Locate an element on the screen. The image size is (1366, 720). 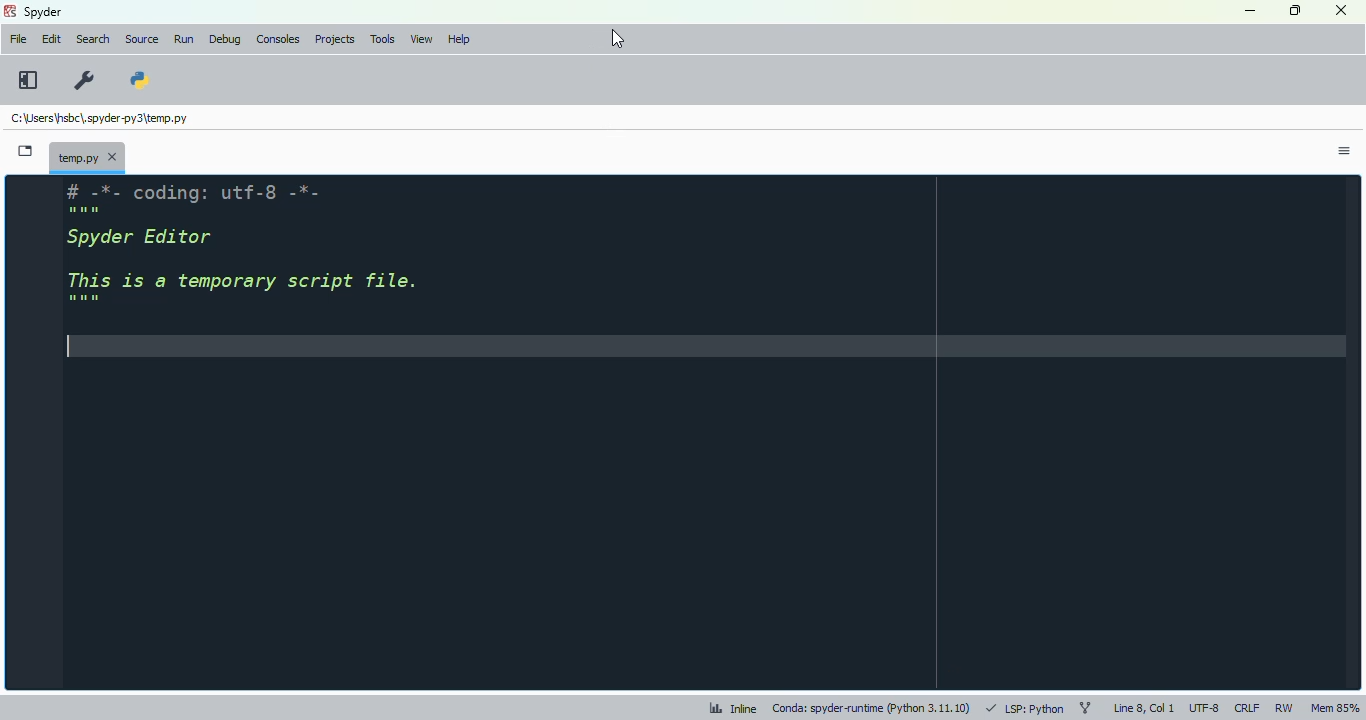
browse tabs is located at coordinates (26, 151).